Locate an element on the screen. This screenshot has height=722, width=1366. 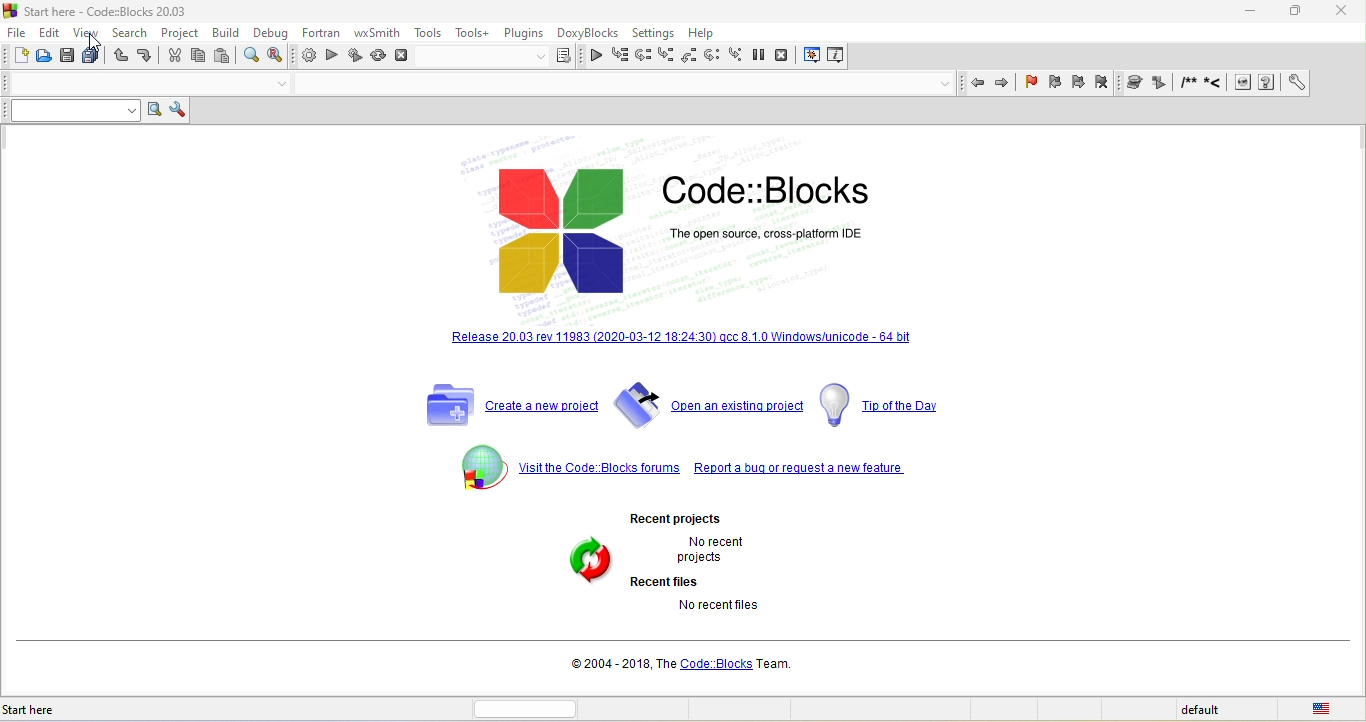
build is located at coordinates (226, 31).